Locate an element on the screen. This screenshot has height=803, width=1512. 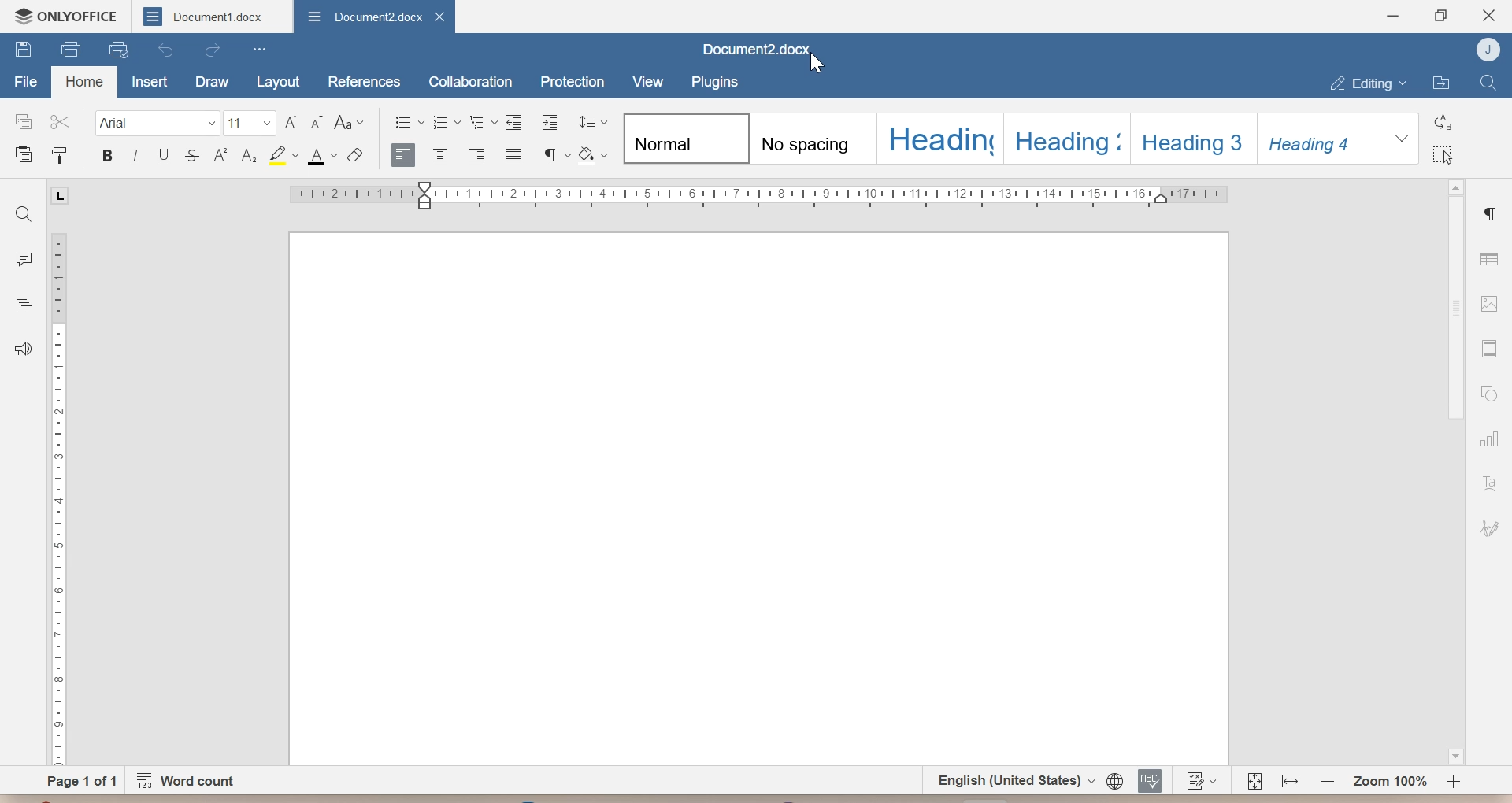
Undo is located at coordinates (169, 50).